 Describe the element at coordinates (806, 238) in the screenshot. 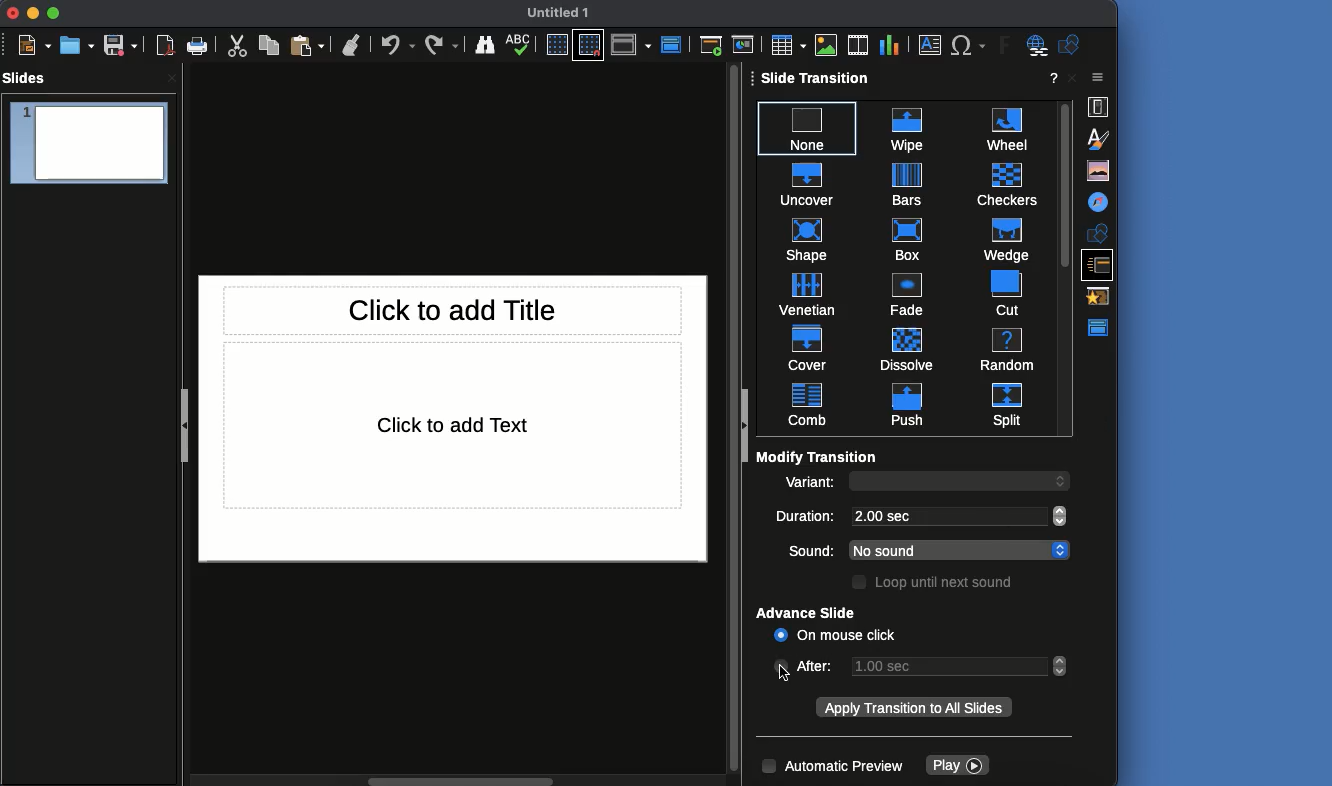

I see `shape` at that location.